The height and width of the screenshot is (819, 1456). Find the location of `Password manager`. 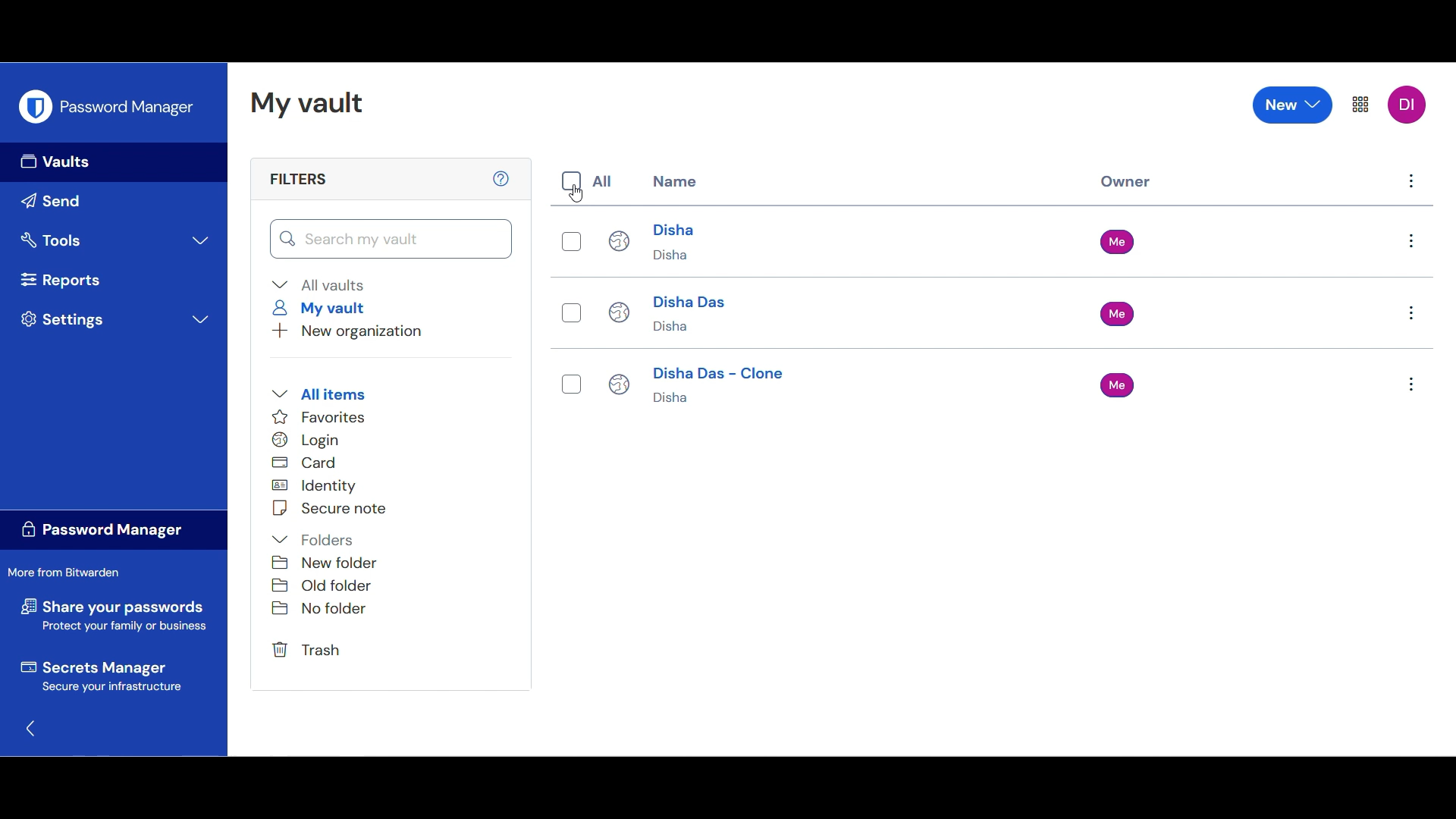

Password manager is located at coordinates (127, 105).